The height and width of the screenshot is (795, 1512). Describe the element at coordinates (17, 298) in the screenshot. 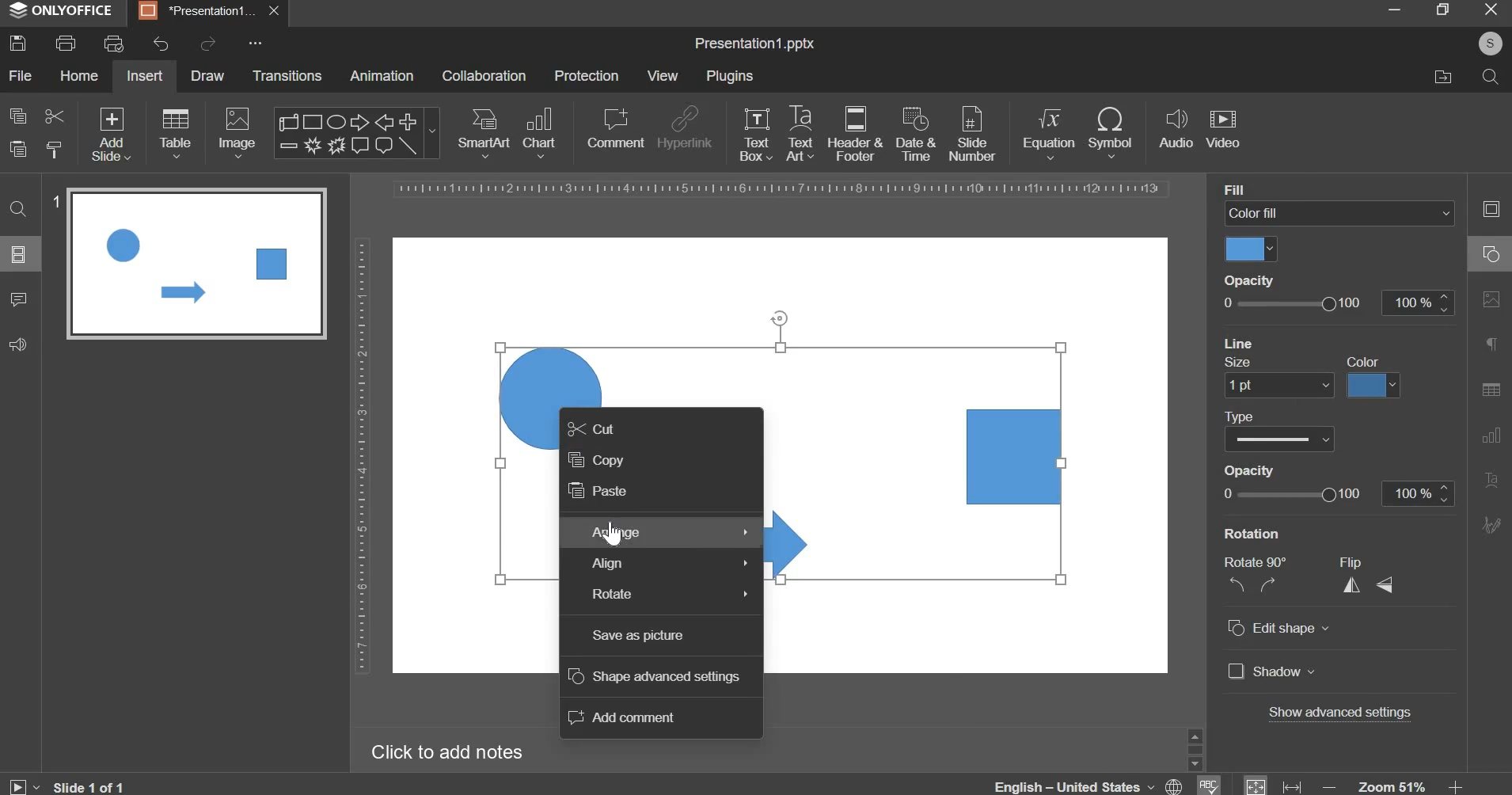

I see `comment` at that location.